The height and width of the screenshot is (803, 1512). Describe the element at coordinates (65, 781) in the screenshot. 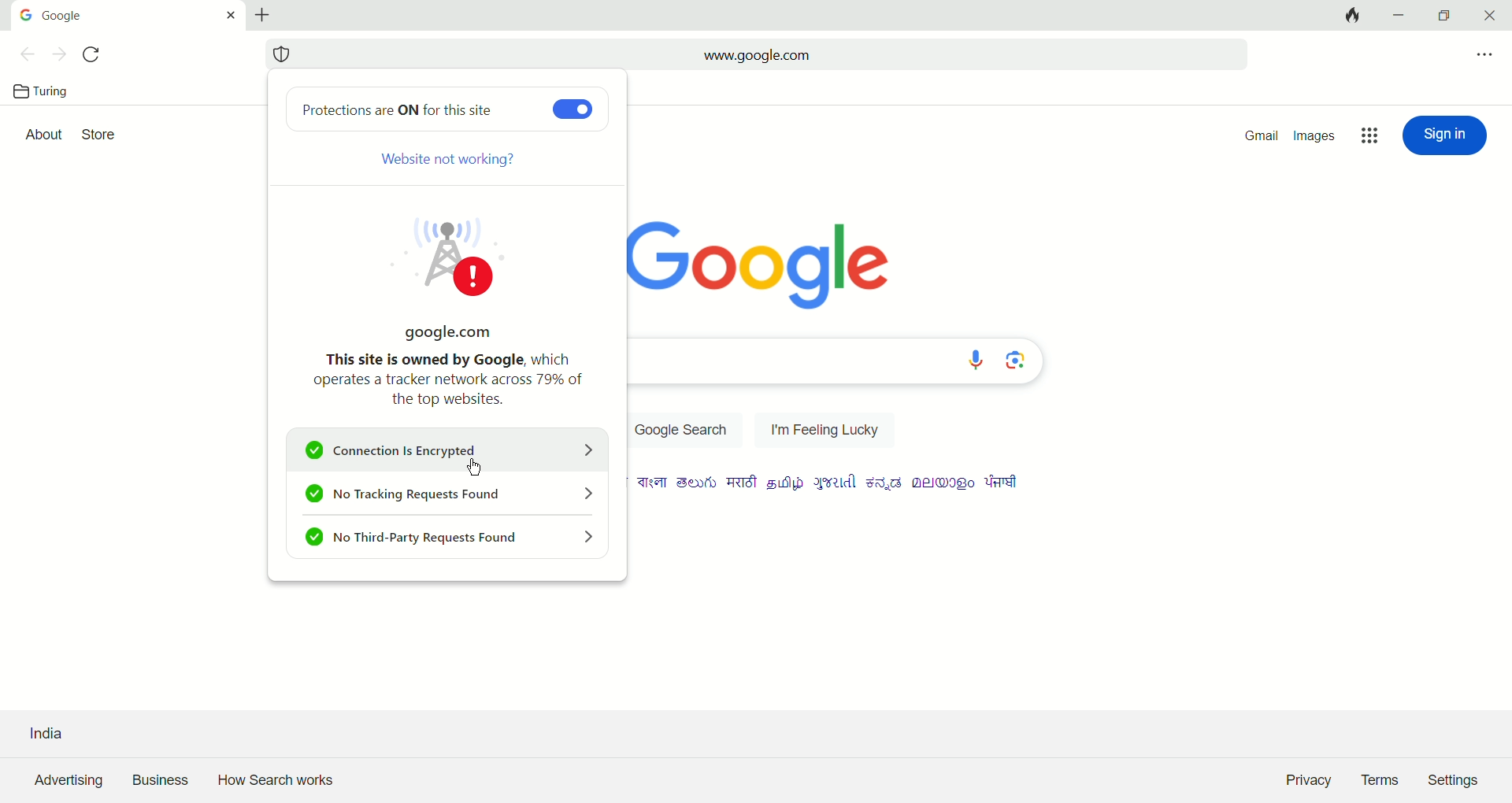

I see `advertising` at that location.